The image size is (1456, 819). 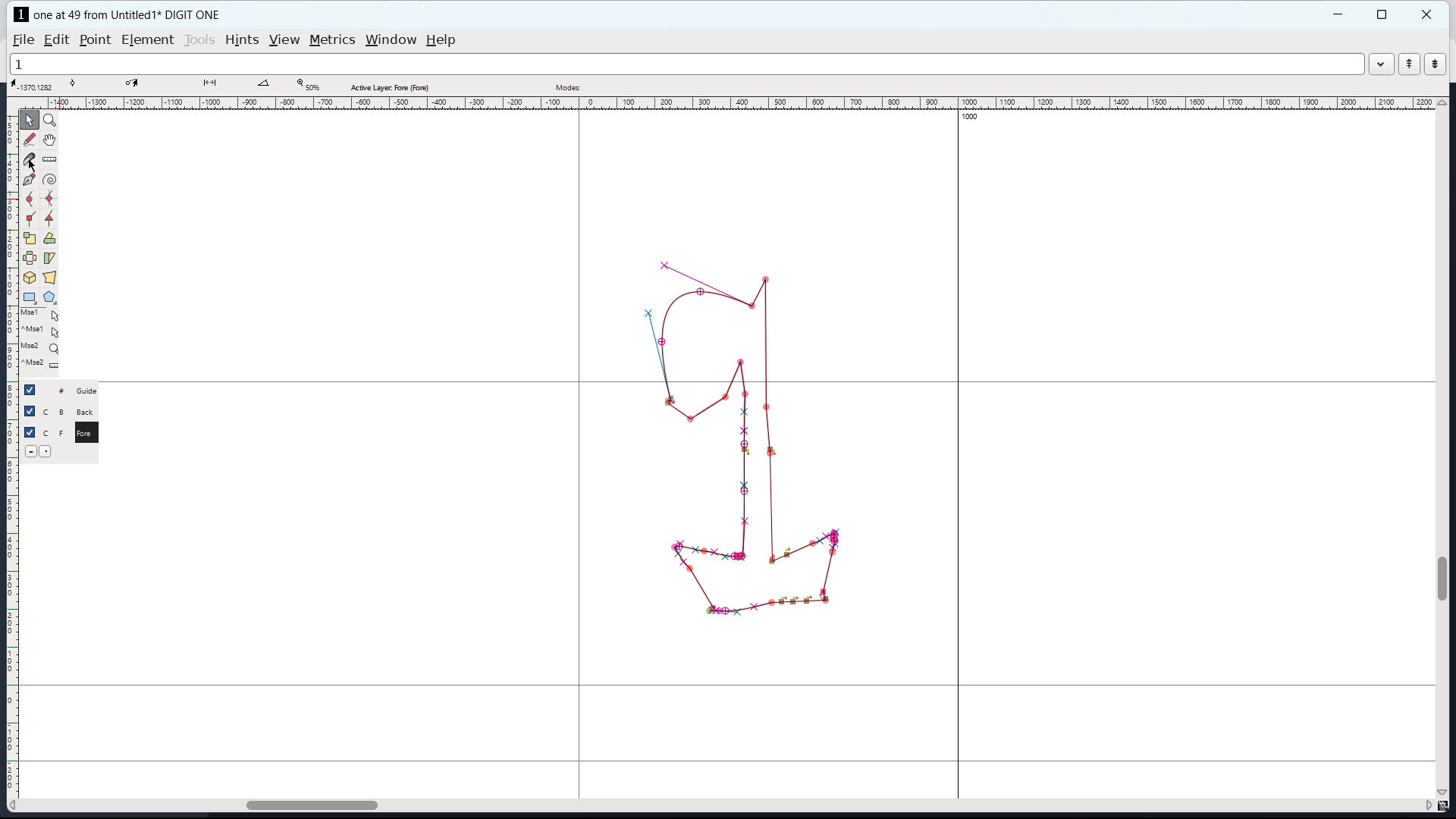 I want to click on C B, so click(x=55, y=410).